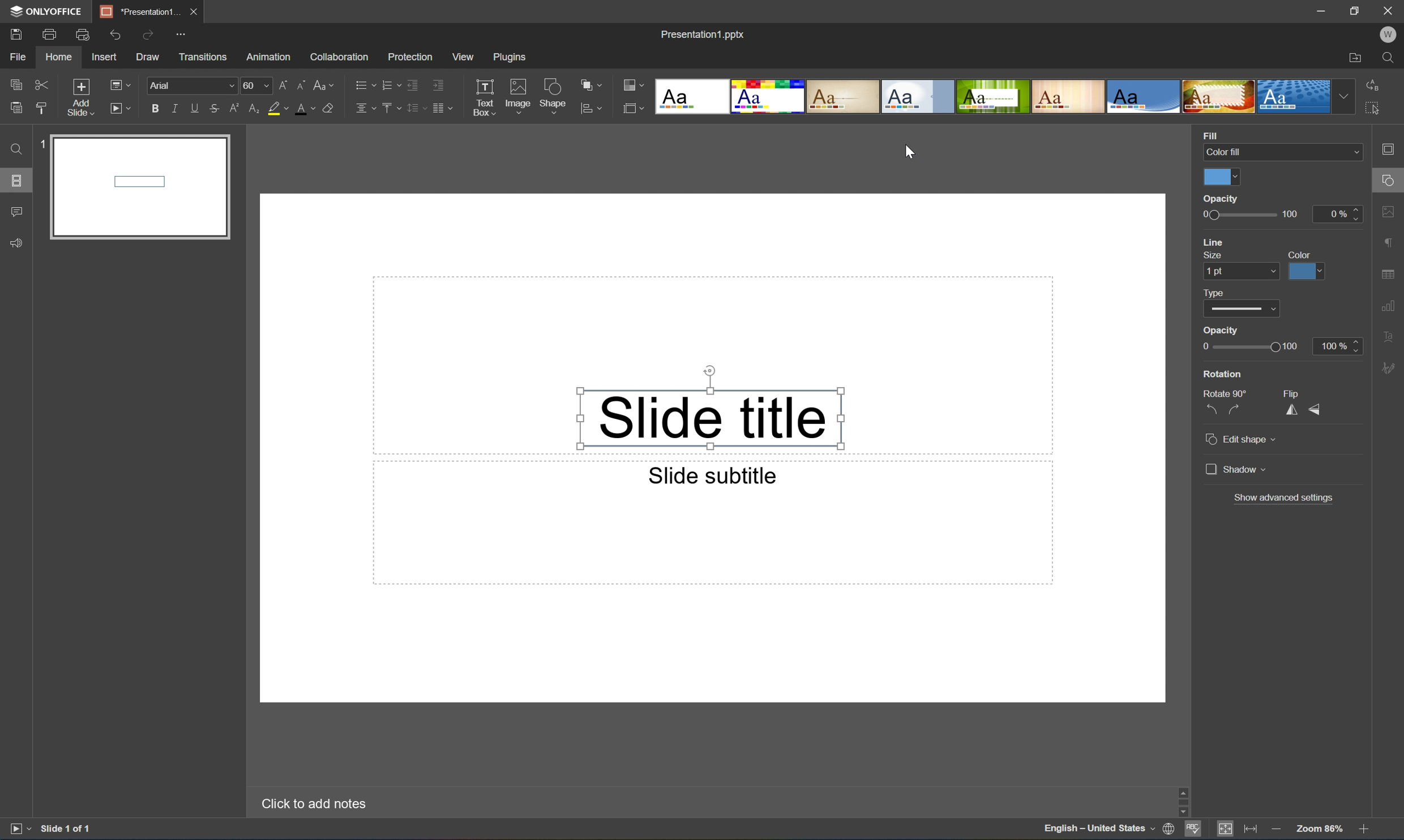 The image size is (1404, 840). I want to click on Edit shape, so click(1243, 440).